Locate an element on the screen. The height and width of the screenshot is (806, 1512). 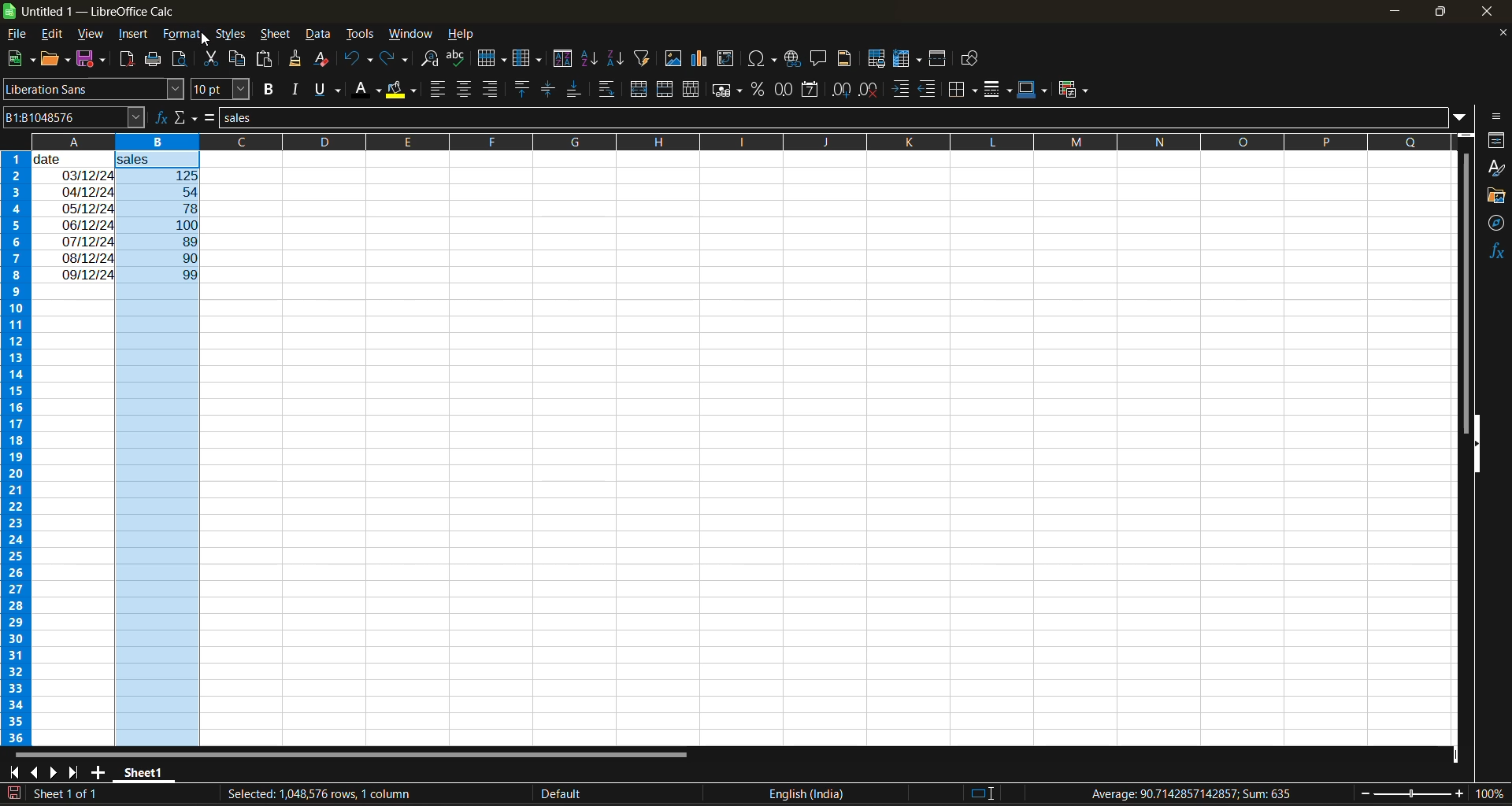
formula is located at coordinates (213, 119).